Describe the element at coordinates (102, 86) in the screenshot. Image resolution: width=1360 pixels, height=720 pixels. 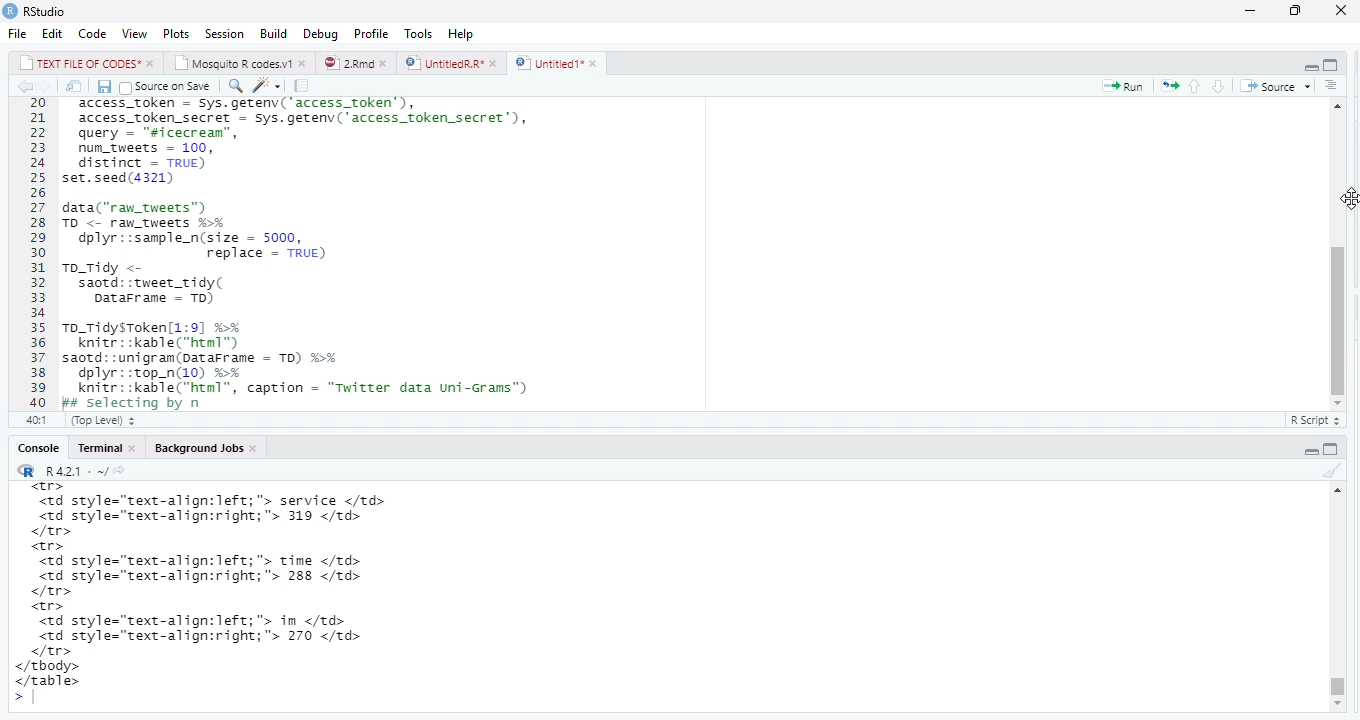
I see `Save document` at that location.